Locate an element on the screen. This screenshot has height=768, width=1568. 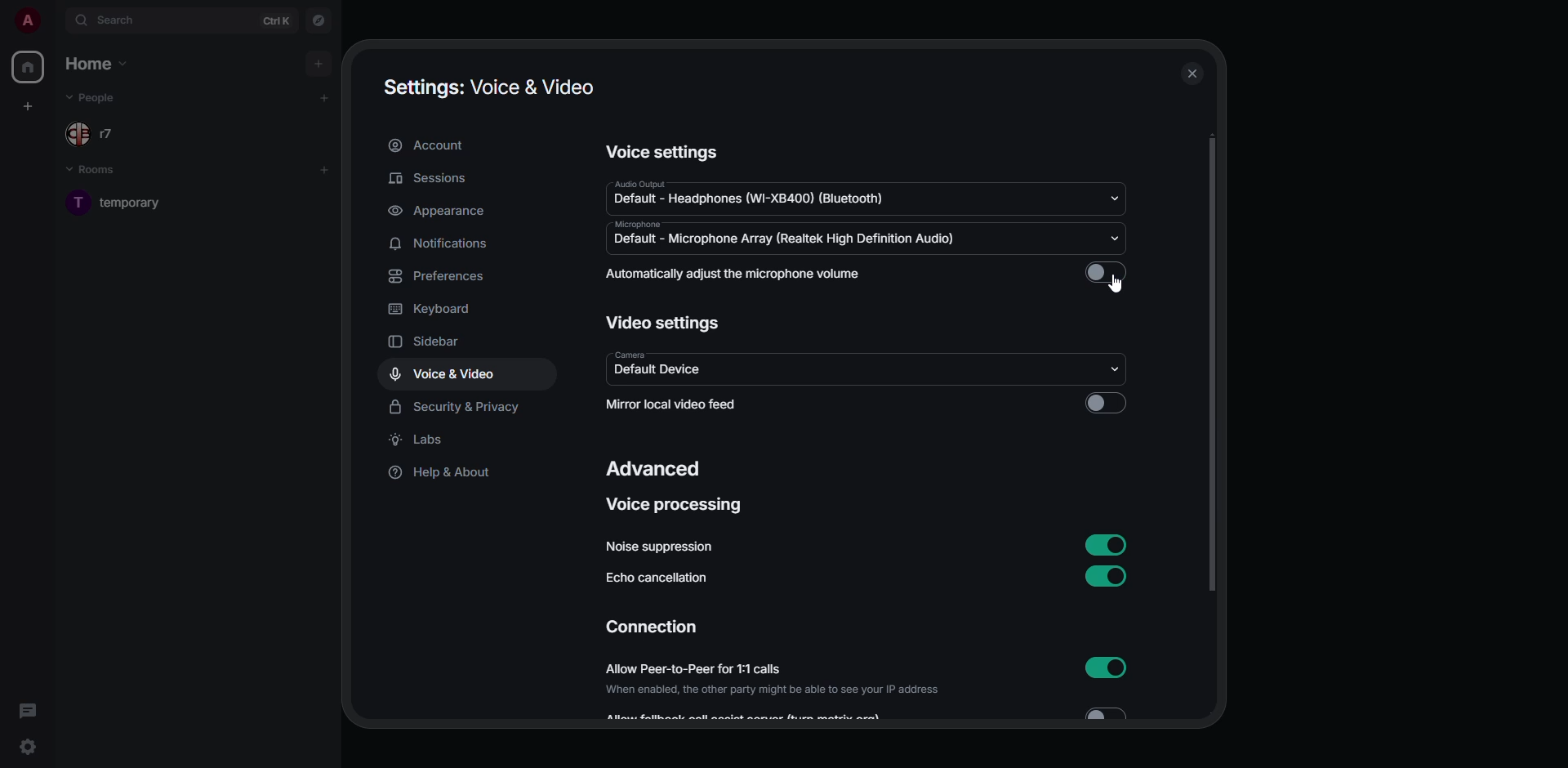
sessions is located at coordinates (433, 177).